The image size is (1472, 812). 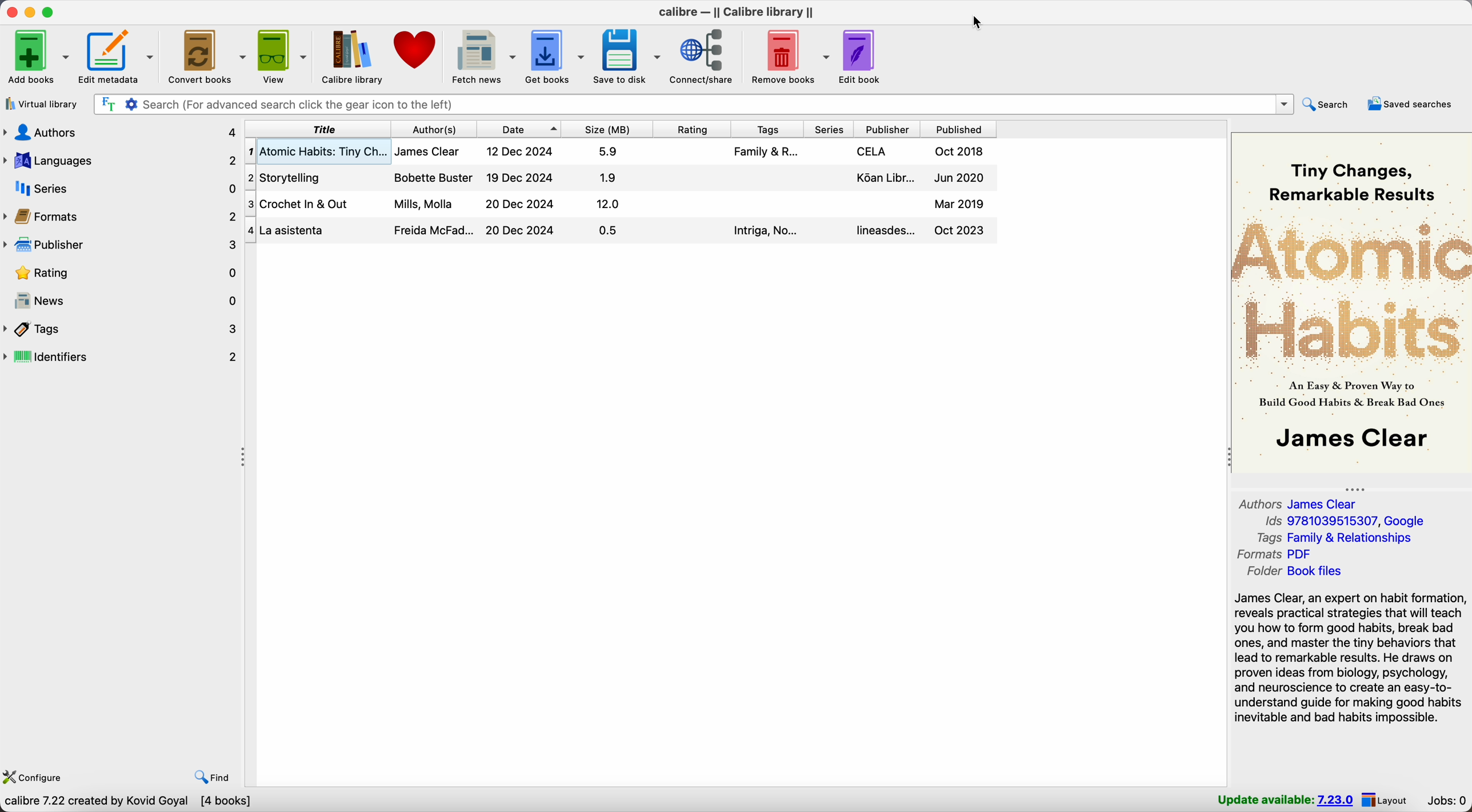 What do you see at coordinates (211, 777) in the screenshot?
I see `find` at bounding box center [211, 777].